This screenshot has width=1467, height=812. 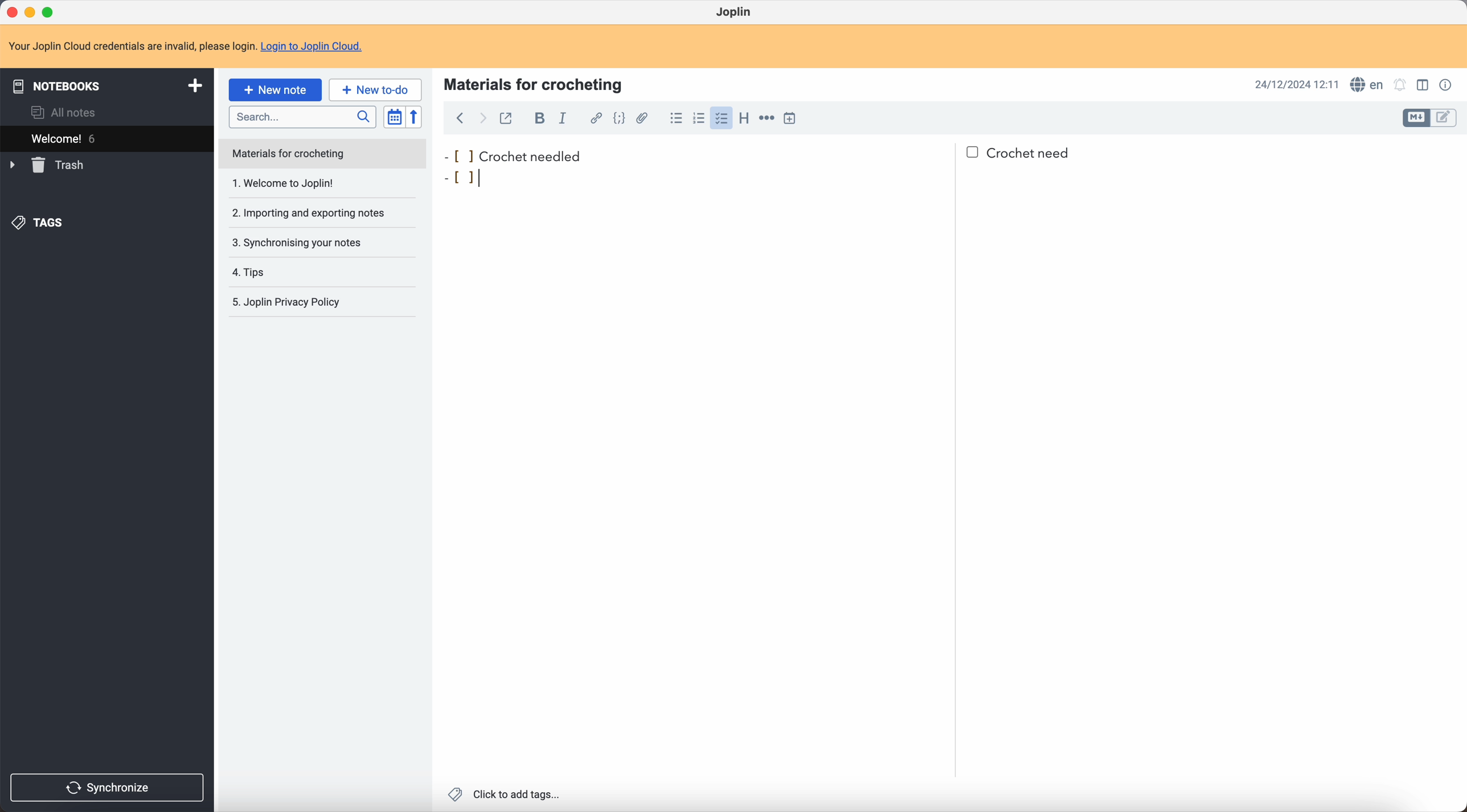 What do you see at coordinates (32, 13) in the screenshot?
I see `minimize` at bounding box center [32, 13].